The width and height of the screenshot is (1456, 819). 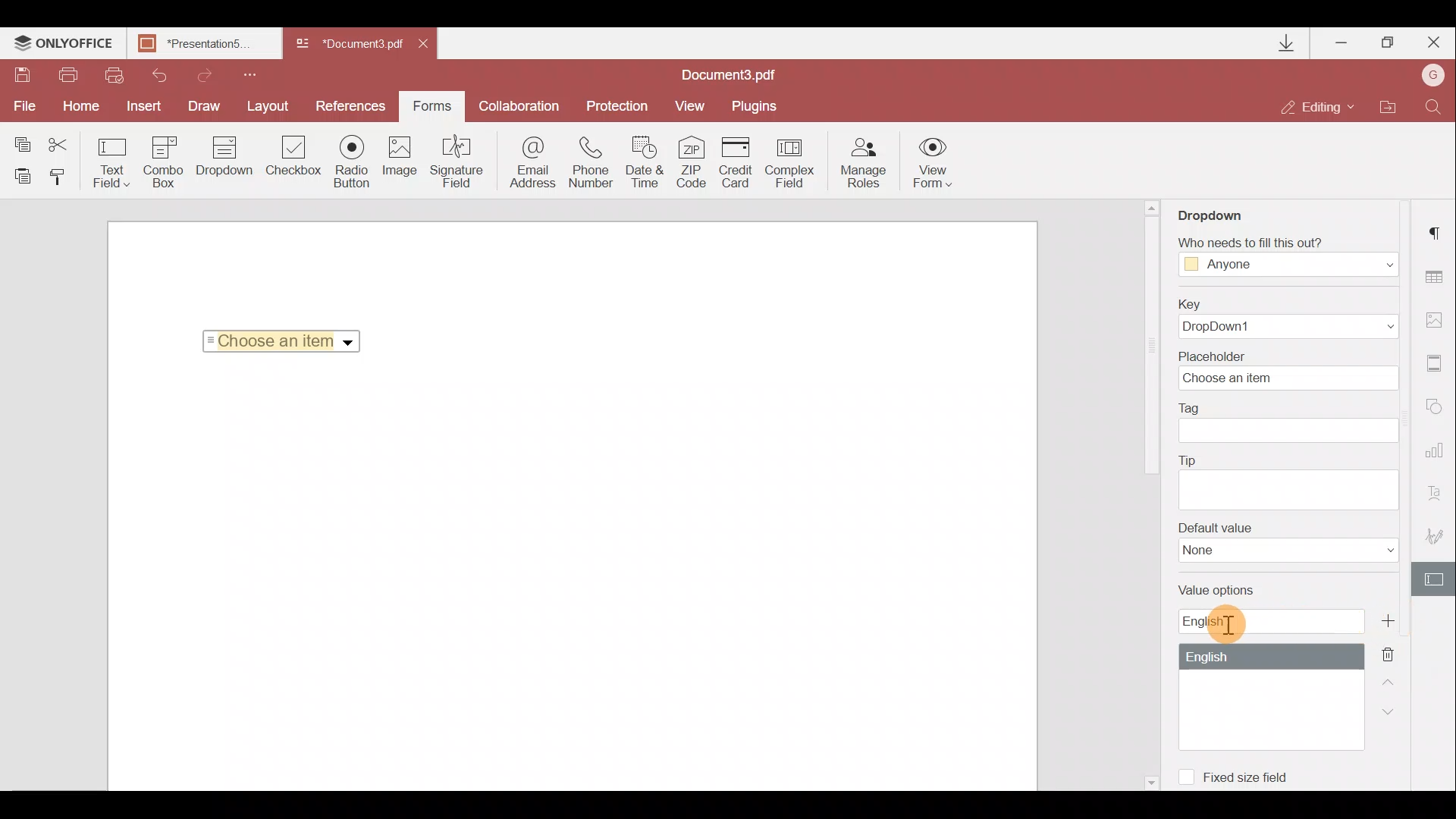 What do you see at coordinates (205, 105) in the screenshot?
I see `Draw` at bounding box center [205, 105].